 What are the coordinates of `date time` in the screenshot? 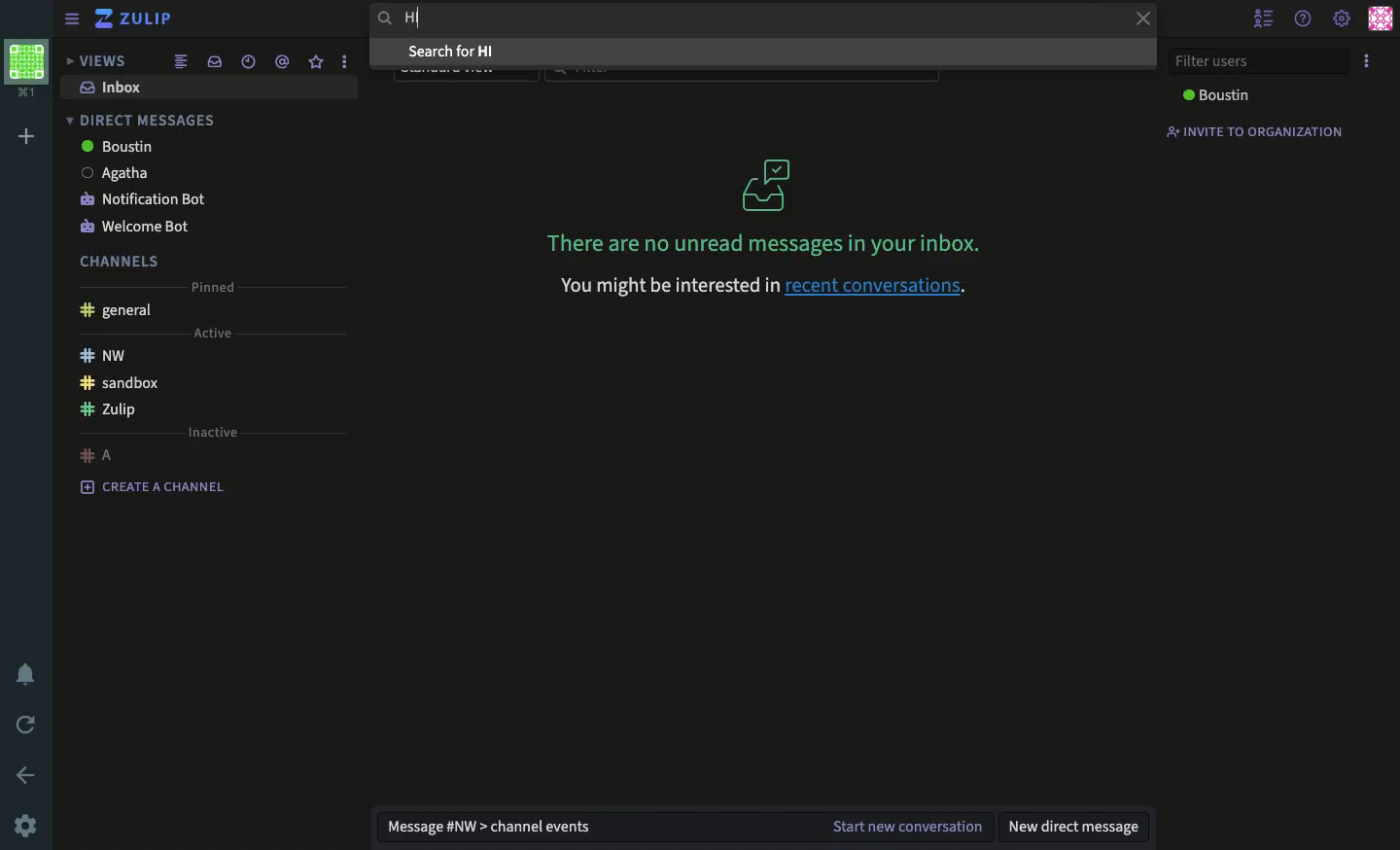 It's located at (248, 59).